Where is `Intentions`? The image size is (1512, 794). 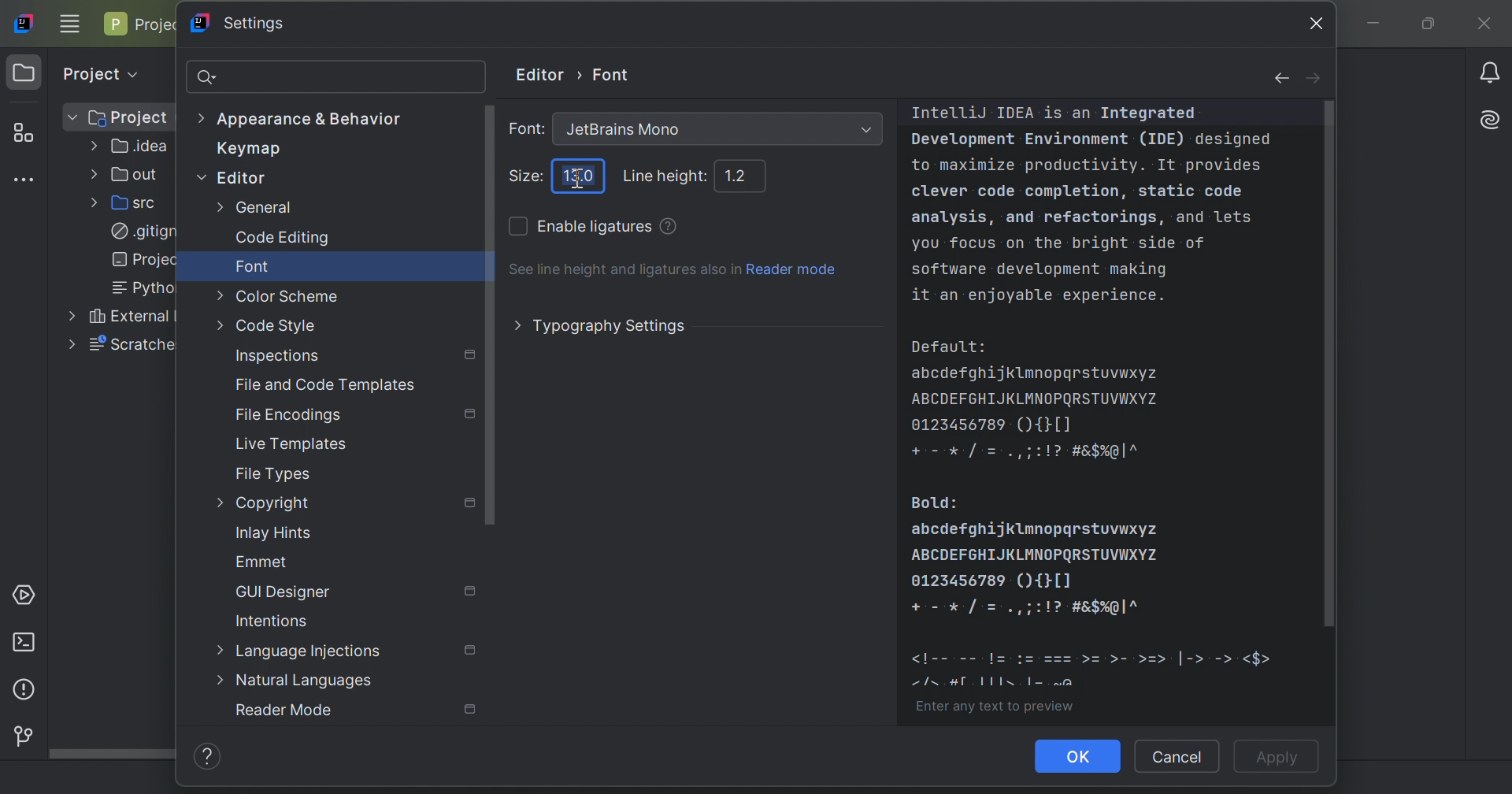 Intentions is located at coordinates (272, 620).